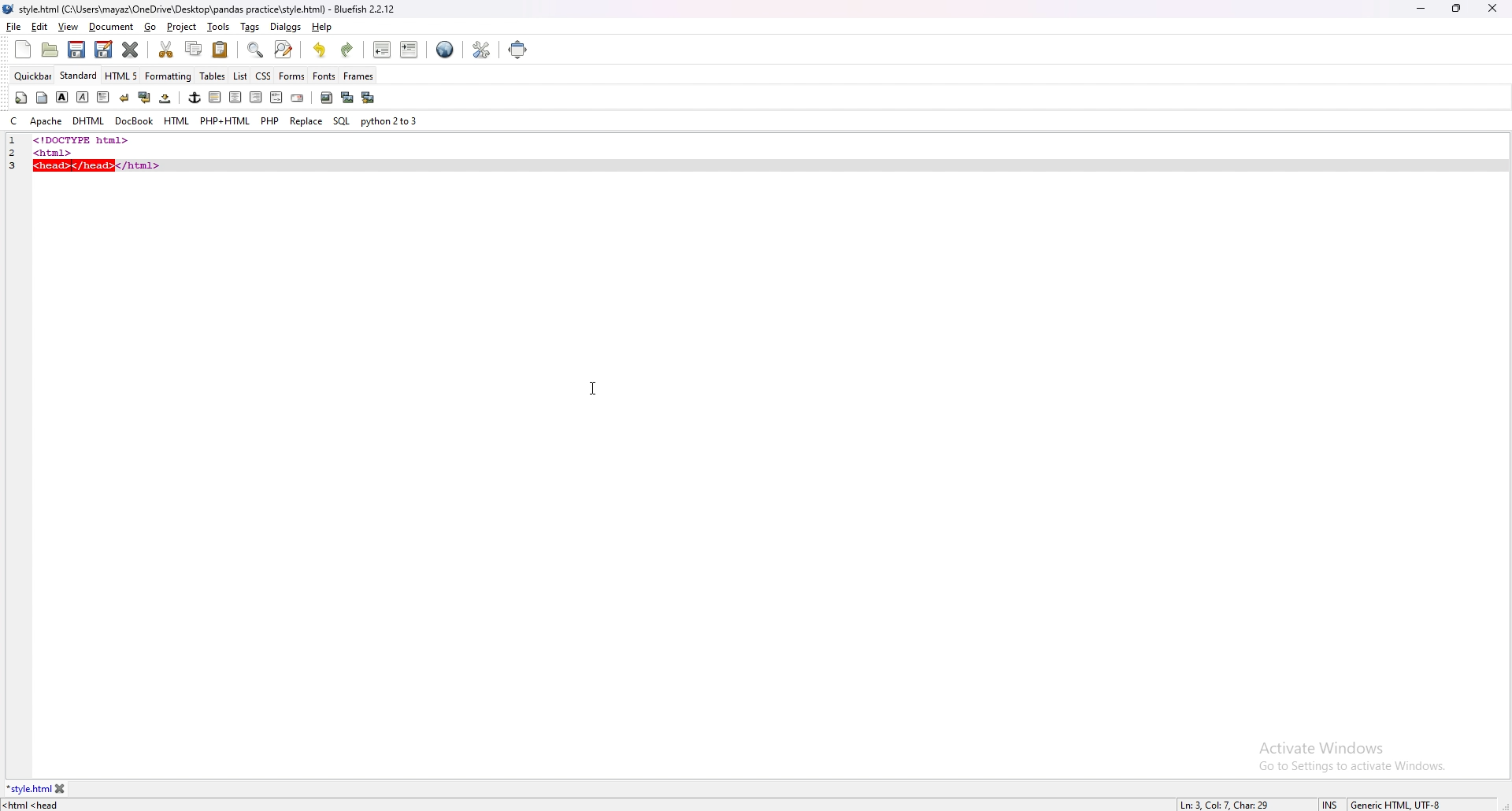 The image size is (1512, 811). What do you see at coordinates (225, 121) in the screenshot?
I see `php+html` at bounding box center [225, 121].